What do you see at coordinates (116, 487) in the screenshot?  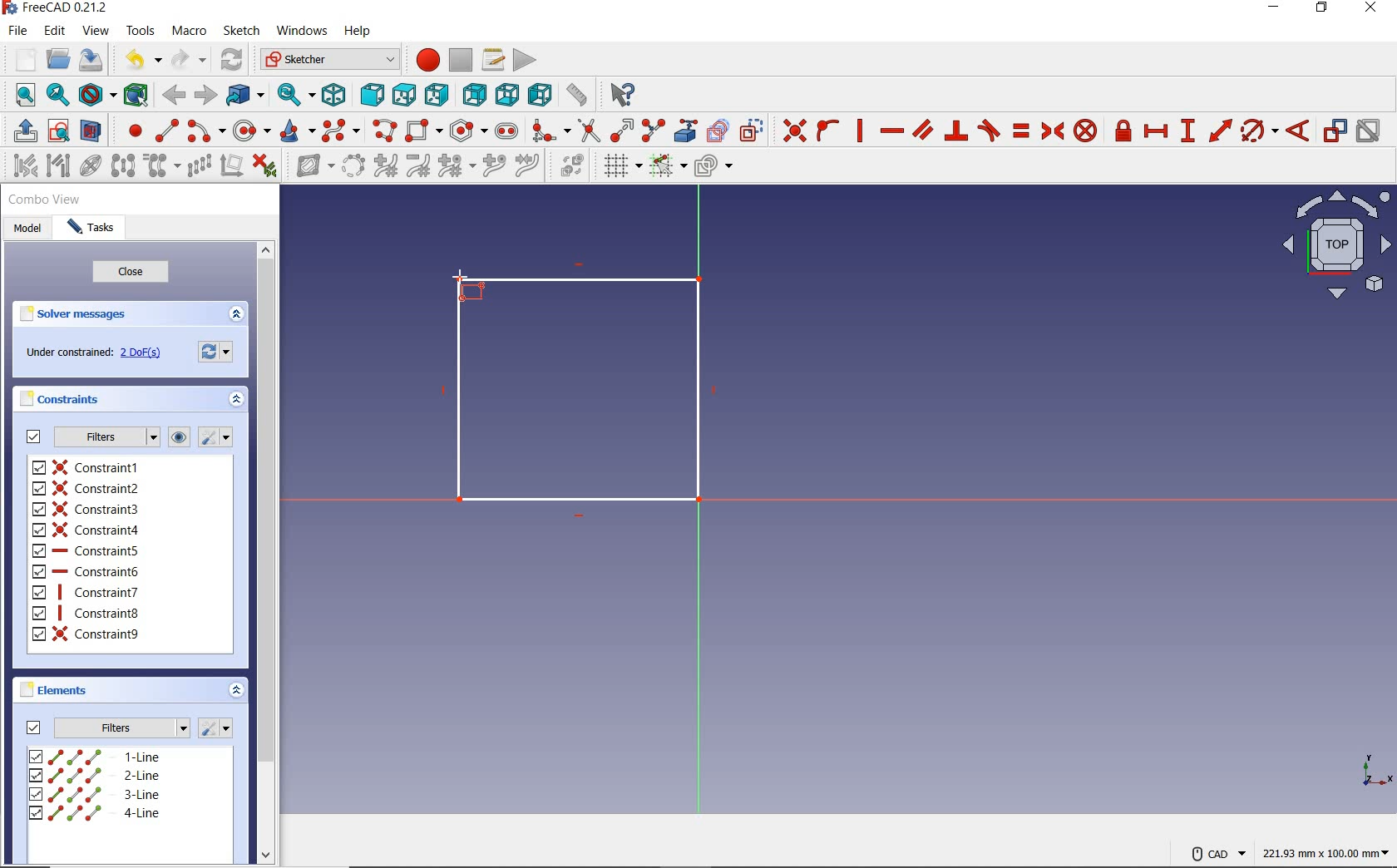 I see `constraint2` at bounding box center [116, 487].